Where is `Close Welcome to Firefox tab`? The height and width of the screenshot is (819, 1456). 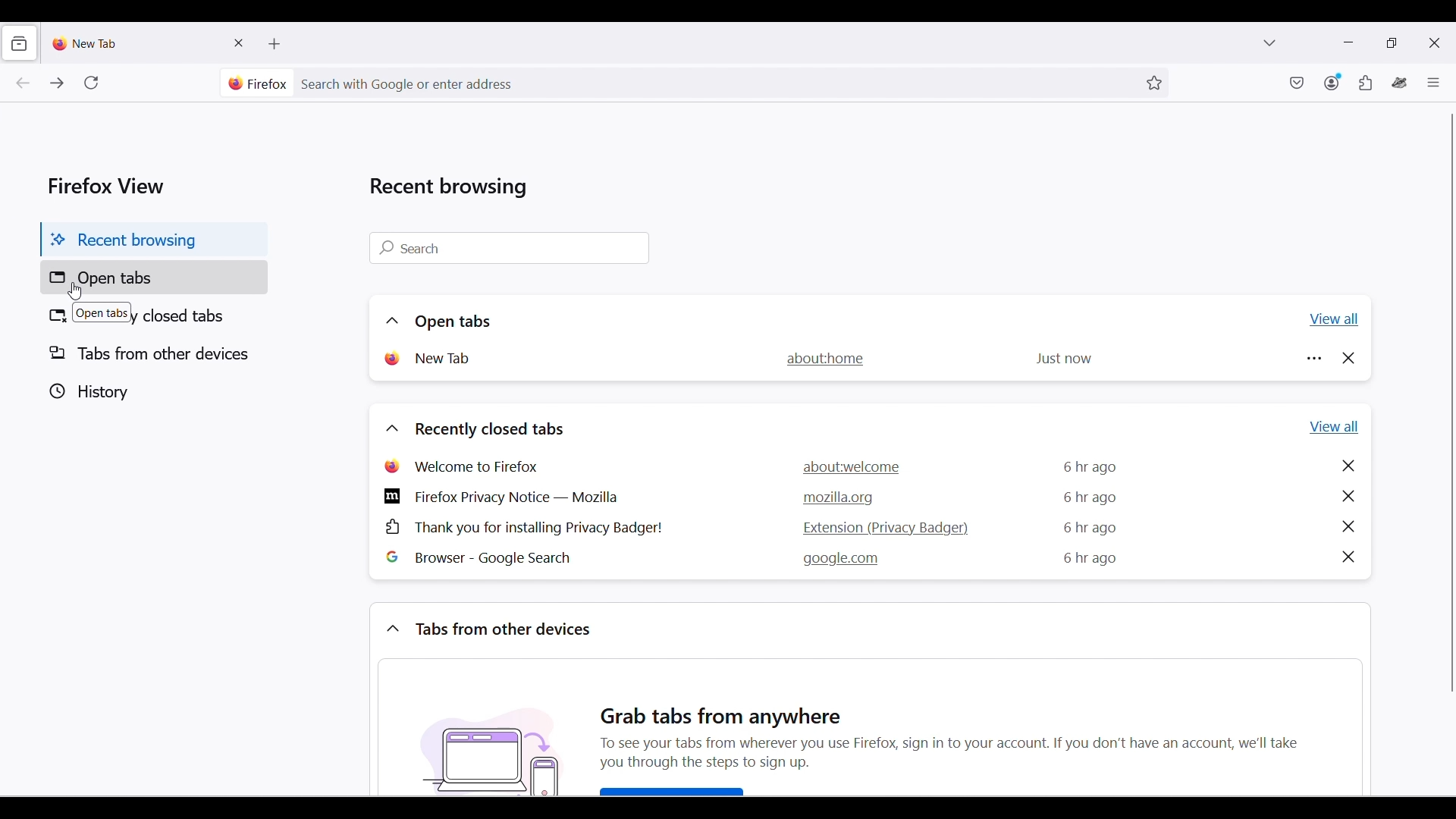 Close Welcome to Firefox tab is located at coordinates (1348, 466).